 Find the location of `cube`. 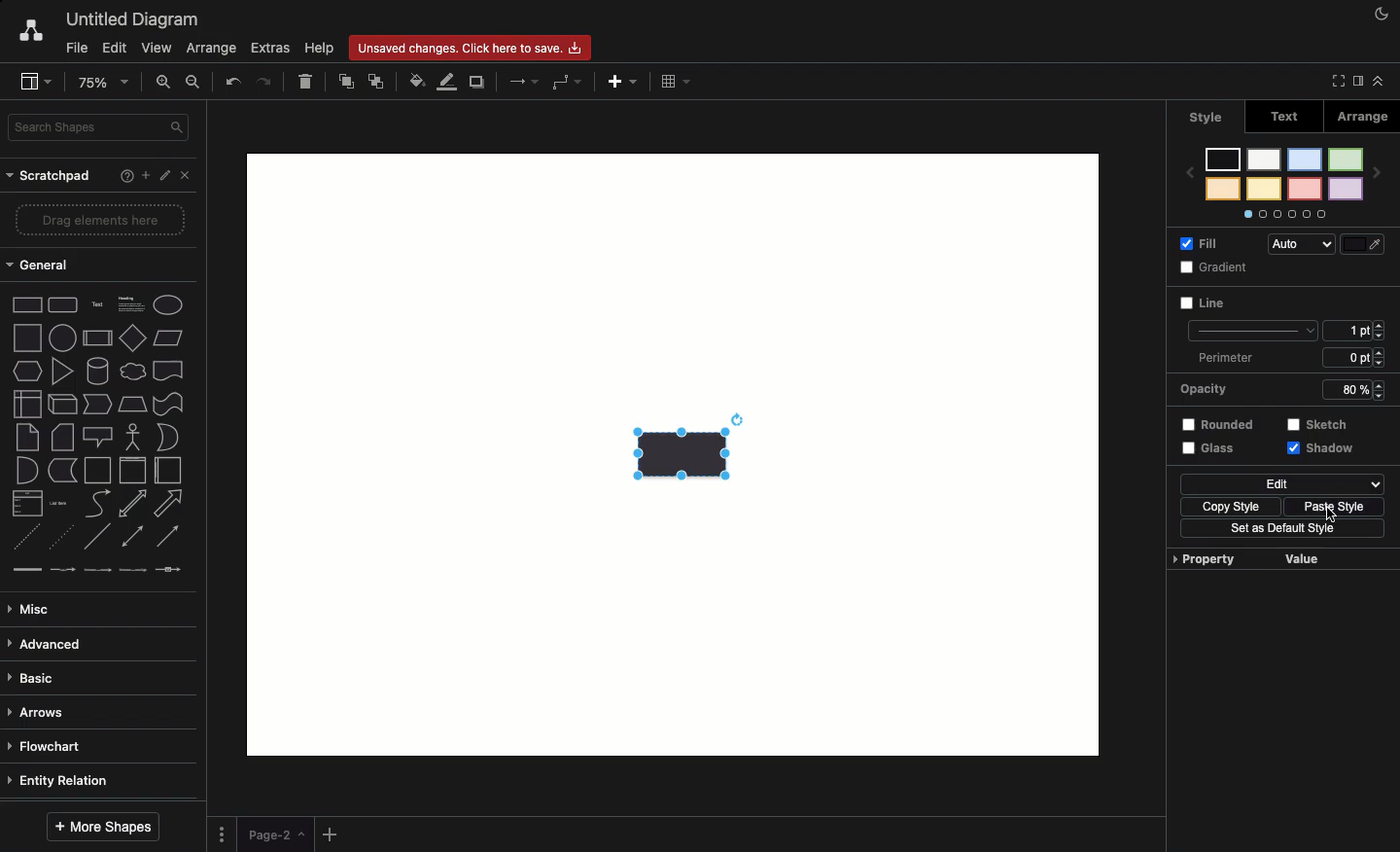

cube is located at coordinates (59, 403).